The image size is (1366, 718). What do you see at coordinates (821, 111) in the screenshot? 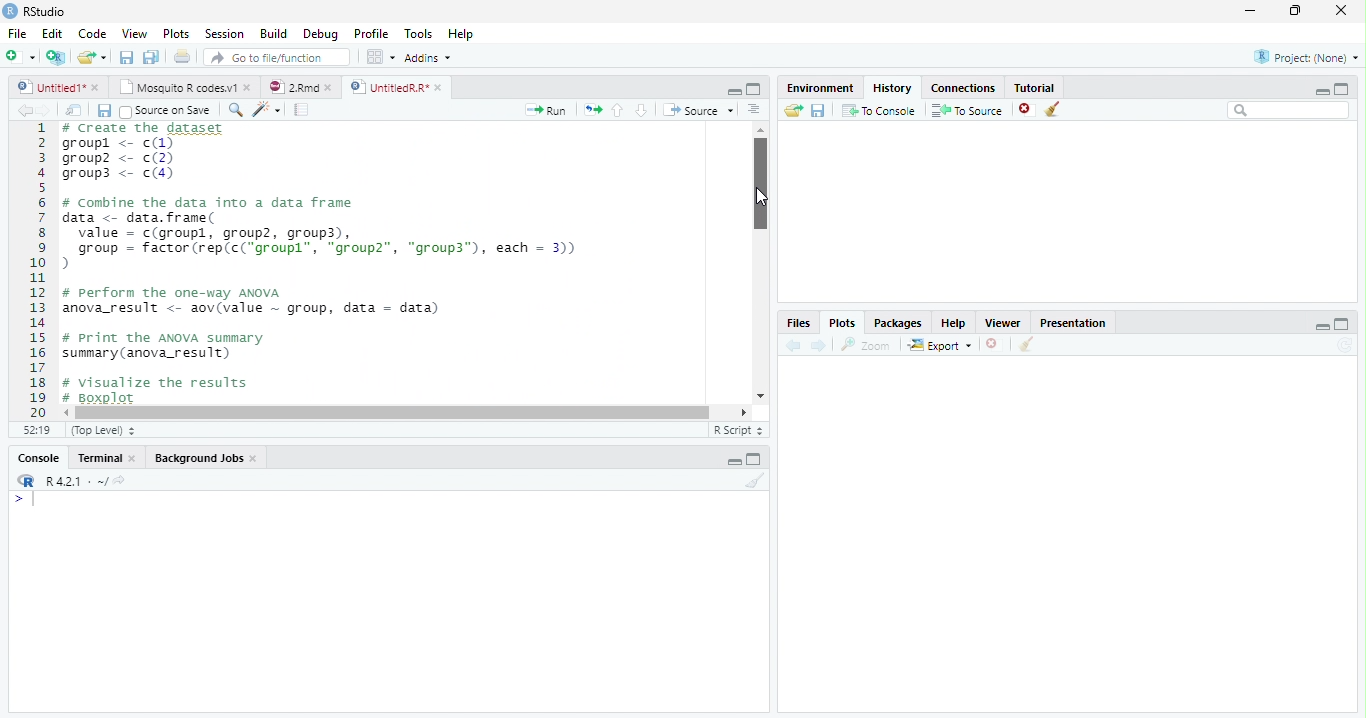
I see `Save workspace as ` at bounding box center [821, 111].